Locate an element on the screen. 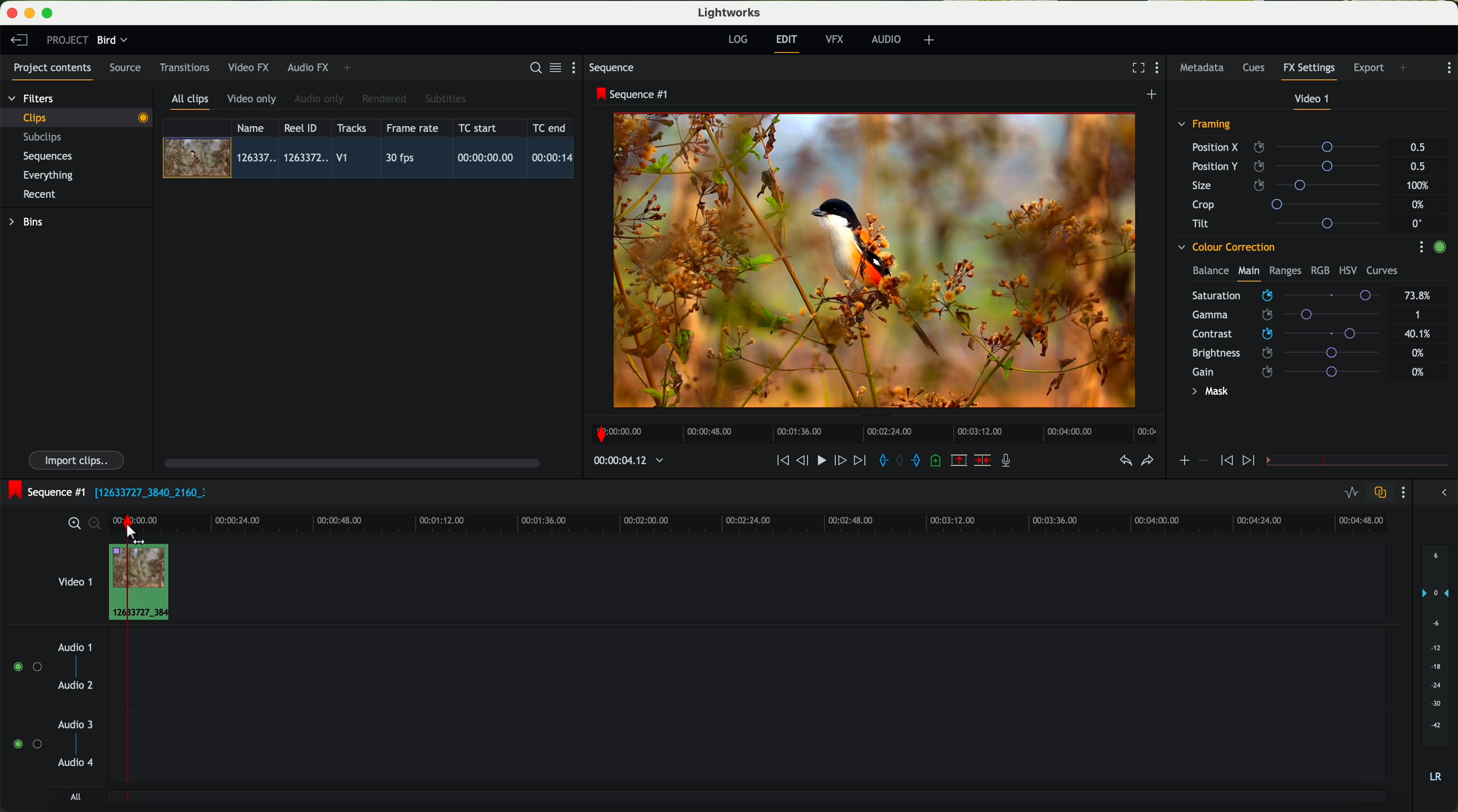  balance is located at coordinates (1211, 272).